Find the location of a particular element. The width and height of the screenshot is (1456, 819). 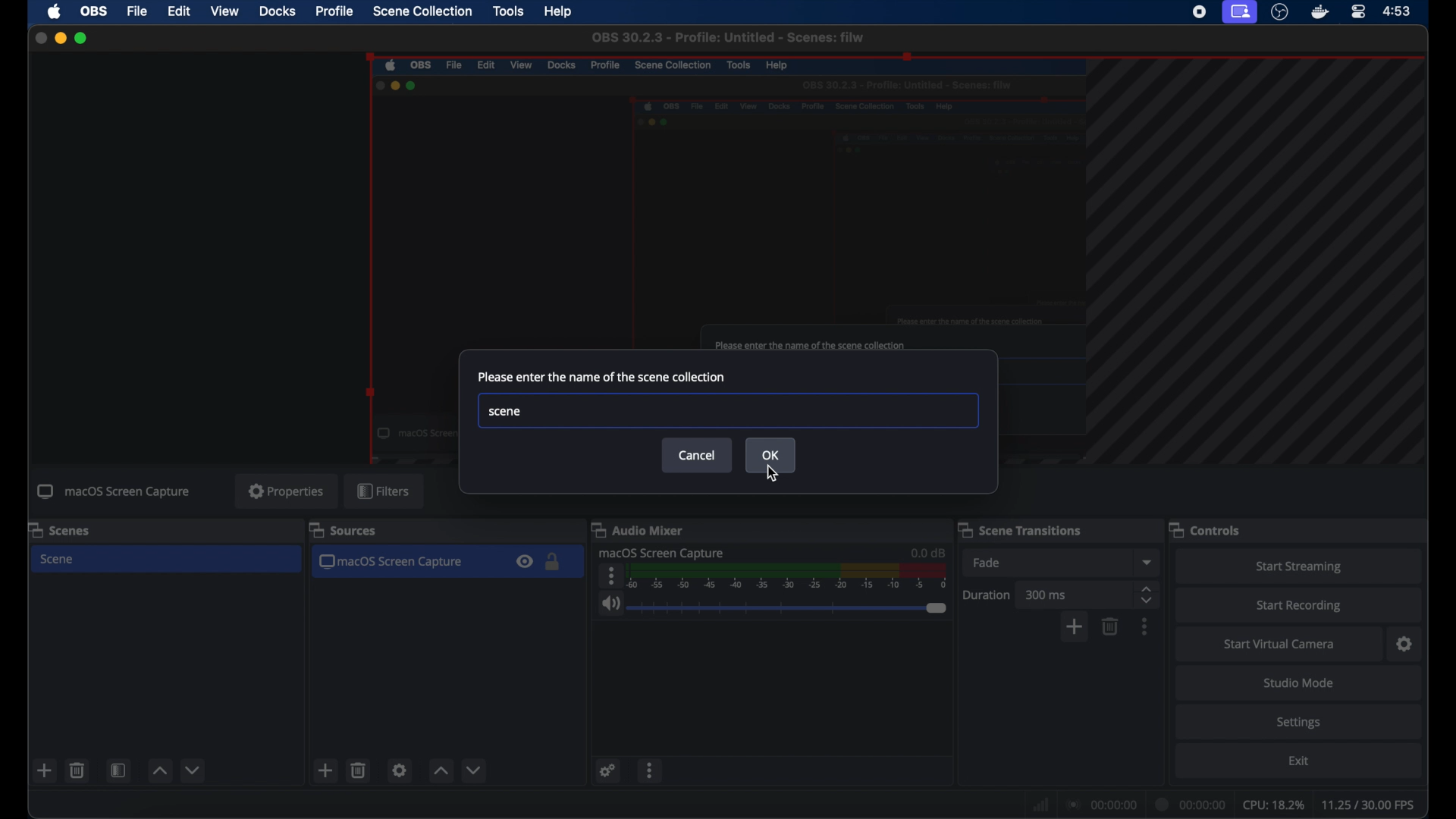

cpu is located at coordinates (1273, 804).